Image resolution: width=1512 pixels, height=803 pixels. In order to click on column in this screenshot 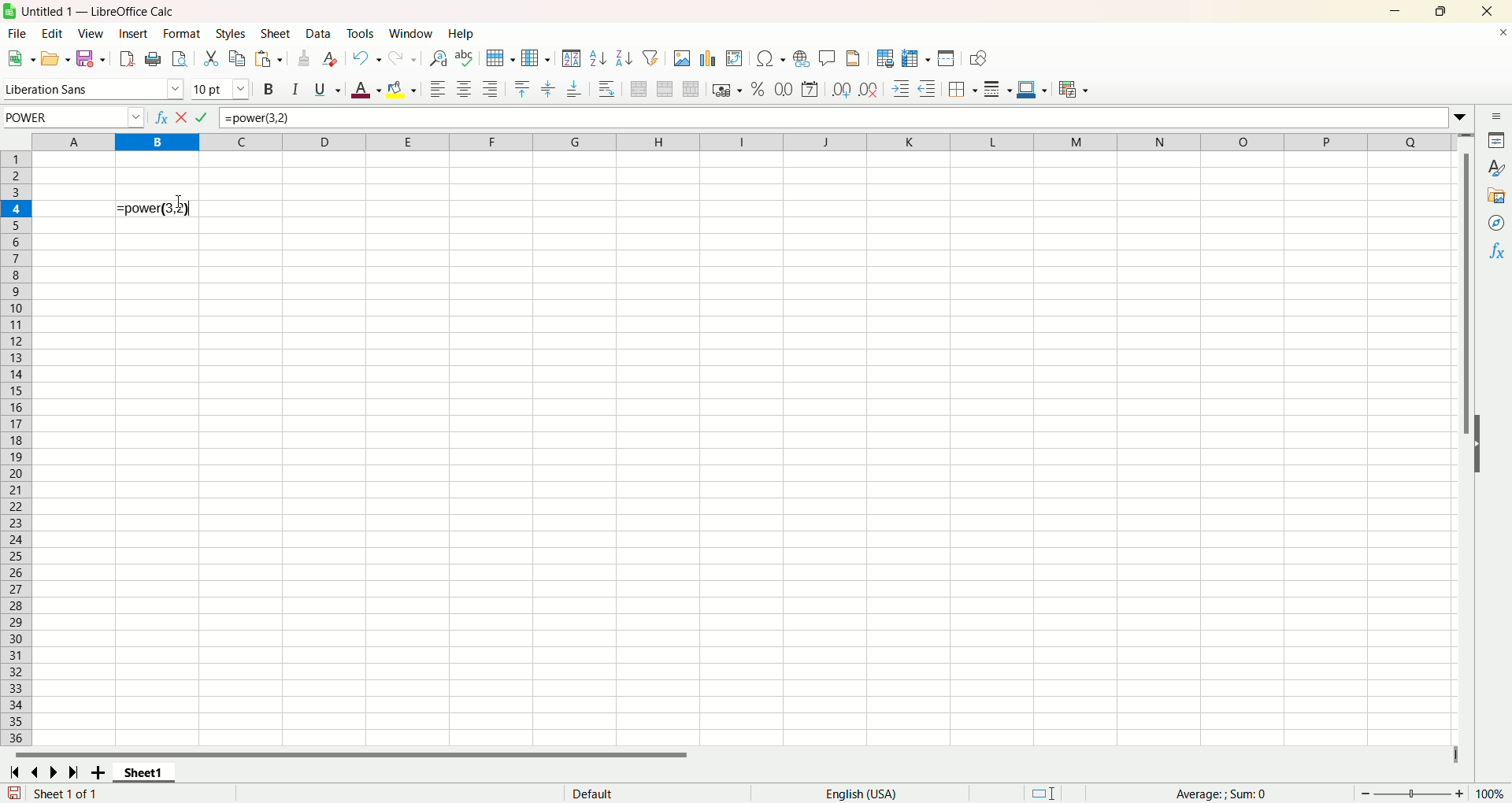, I will do `click(535, 58)`.